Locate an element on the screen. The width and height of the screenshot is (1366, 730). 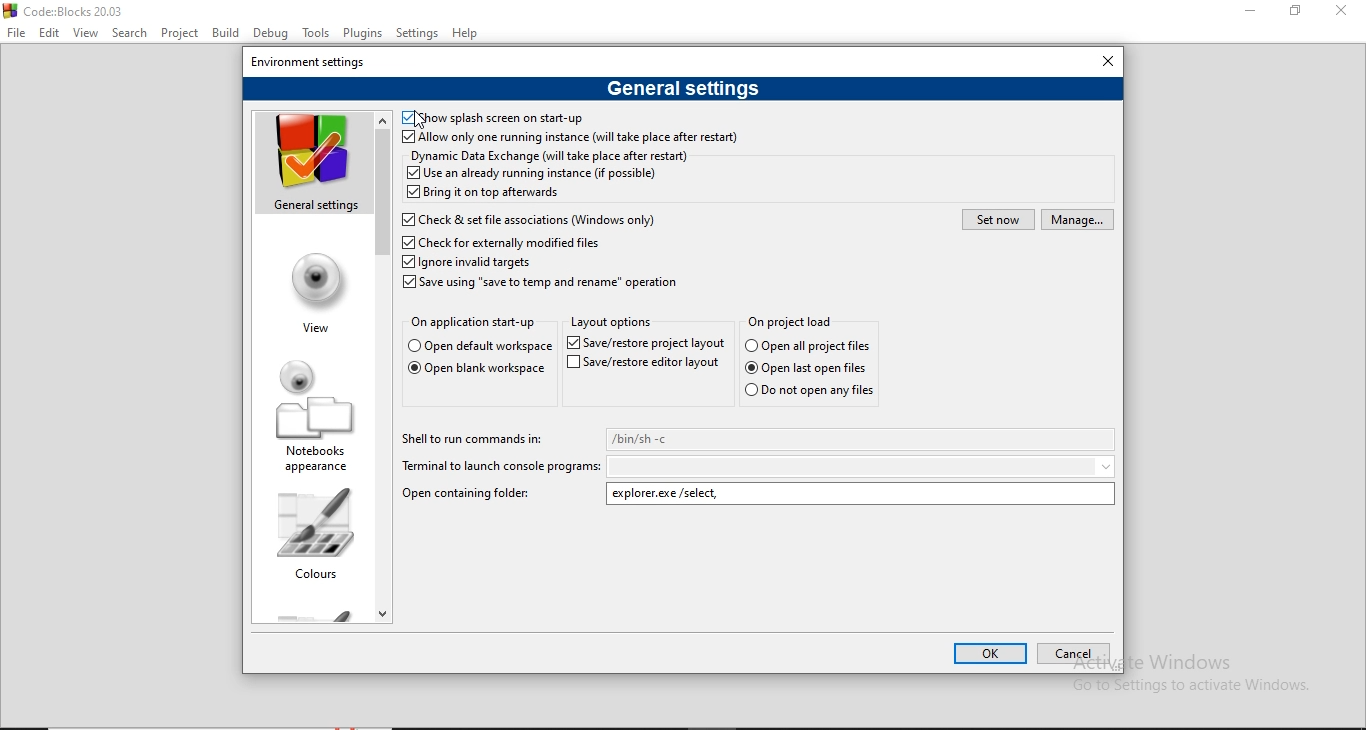
Check for externally modified files is located at coordinates (506, 243).